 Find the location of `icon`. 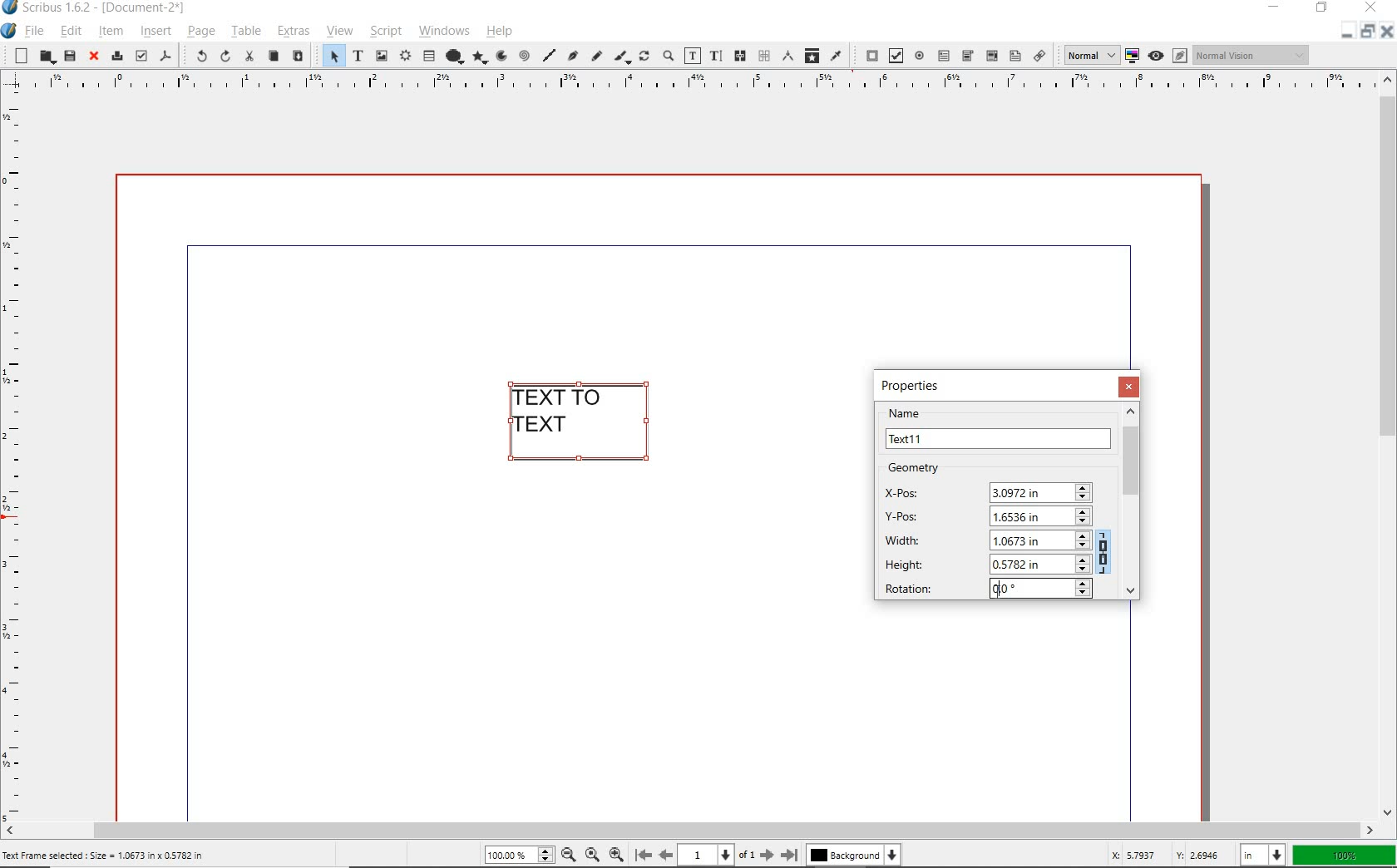

icon is located at coordinates (12, 8).